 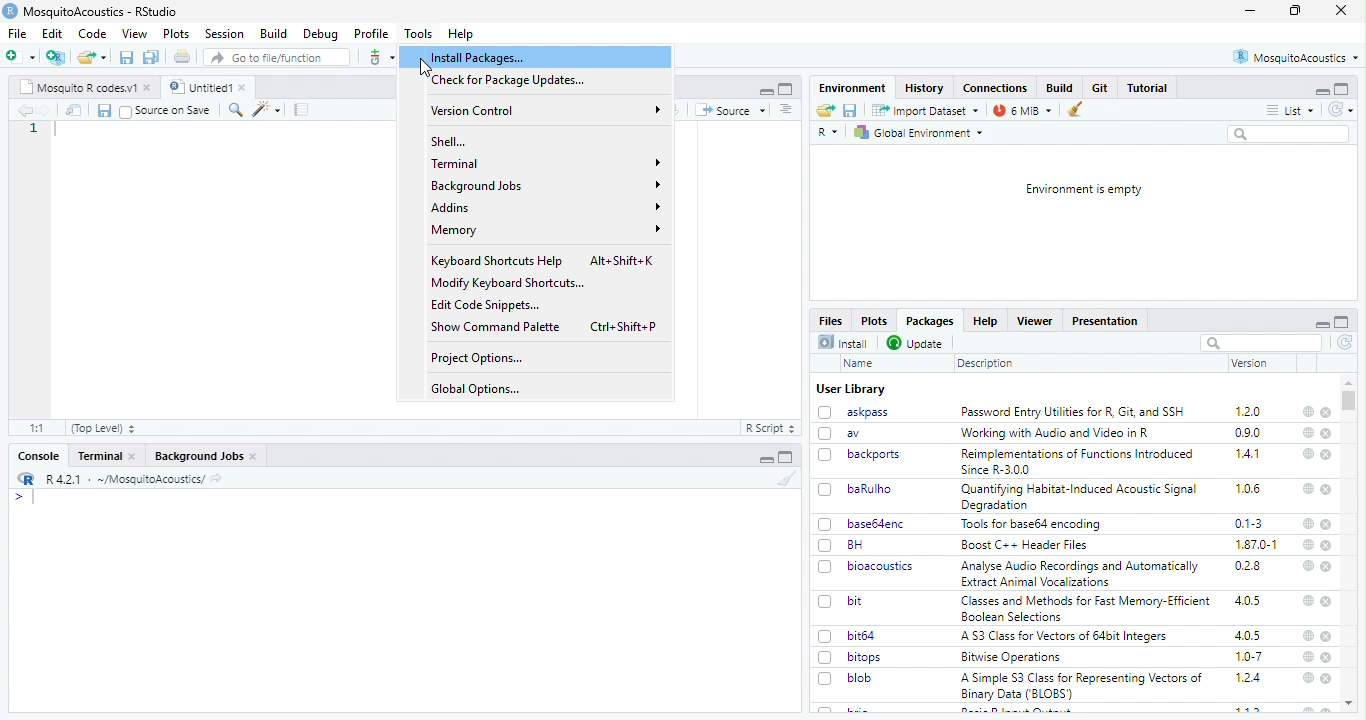 I want to click on ‘Working with Audio and Video in R, so click(x=1059, y=433).